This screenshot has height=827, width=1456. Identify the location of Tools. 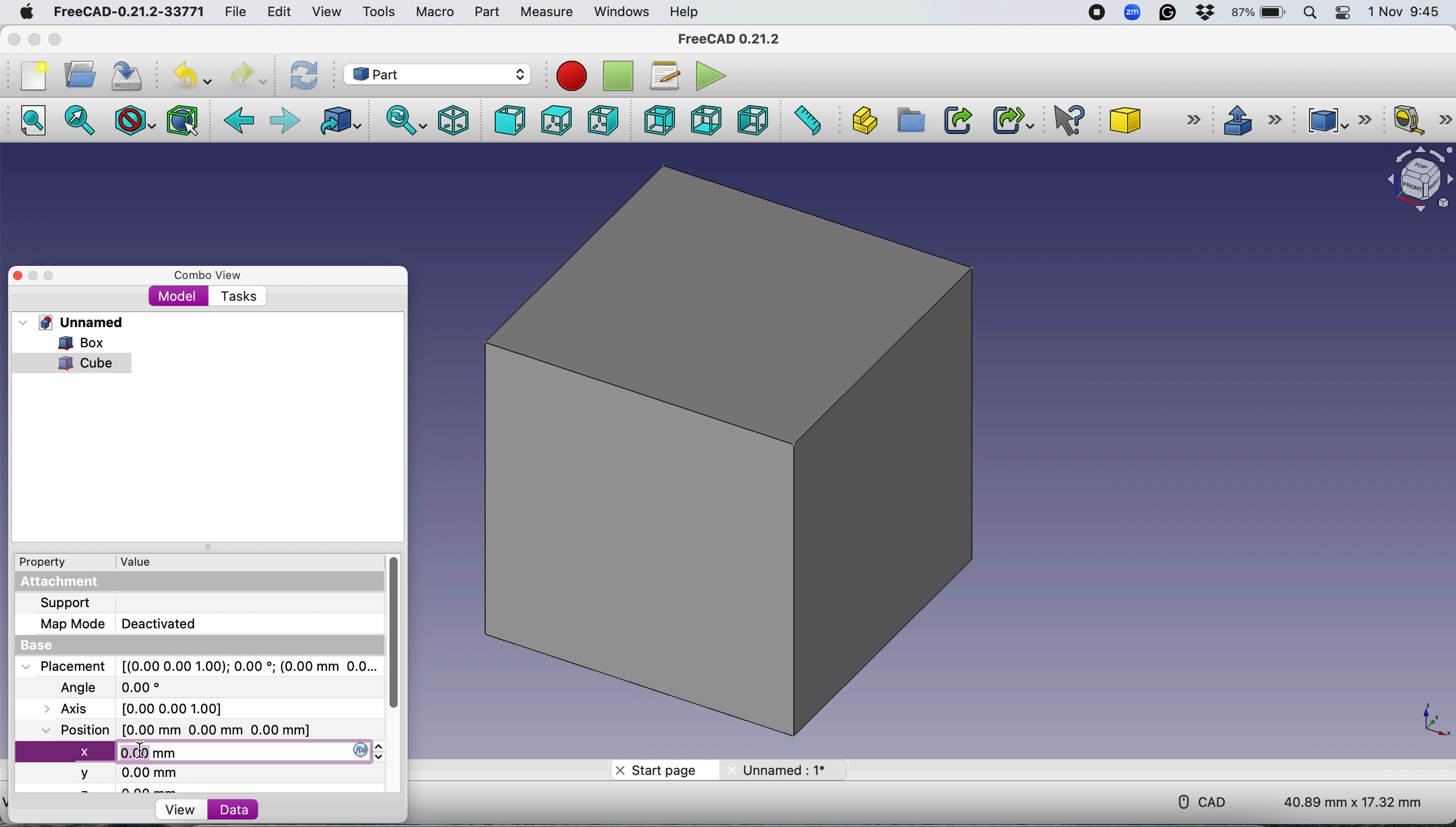
(378, 11).